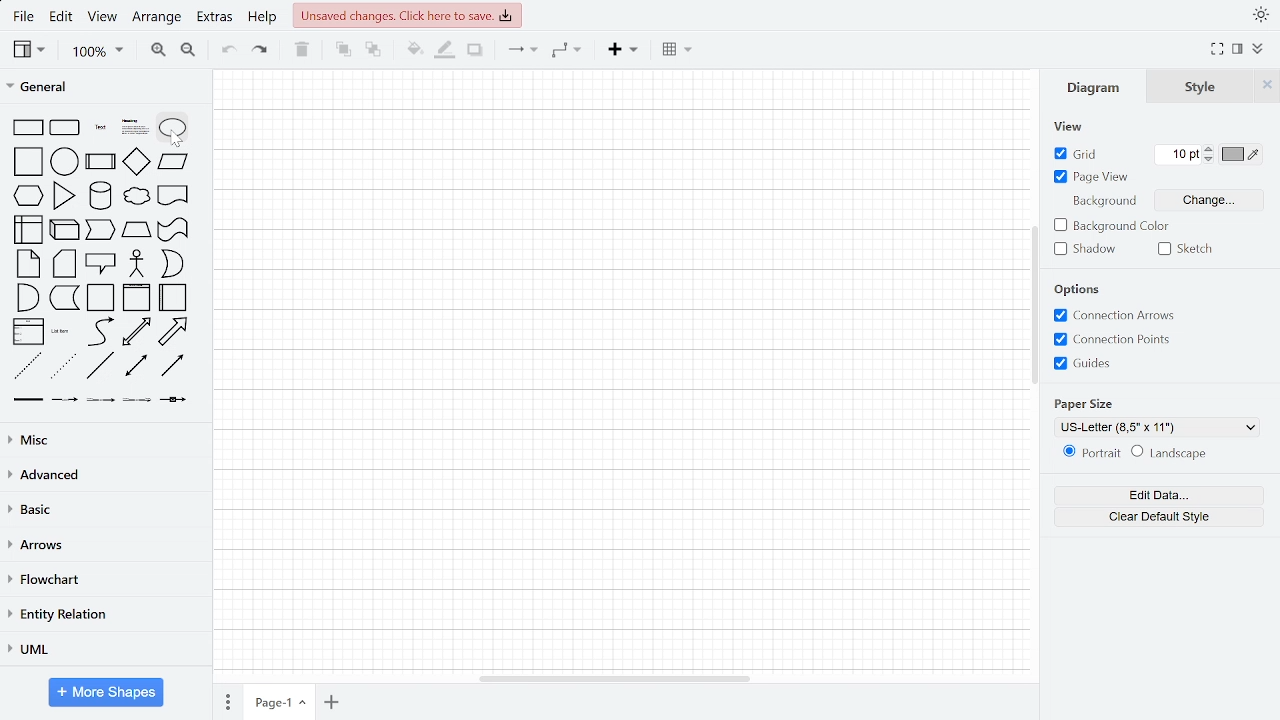  I want to click on connector with label, so click(65, 401).